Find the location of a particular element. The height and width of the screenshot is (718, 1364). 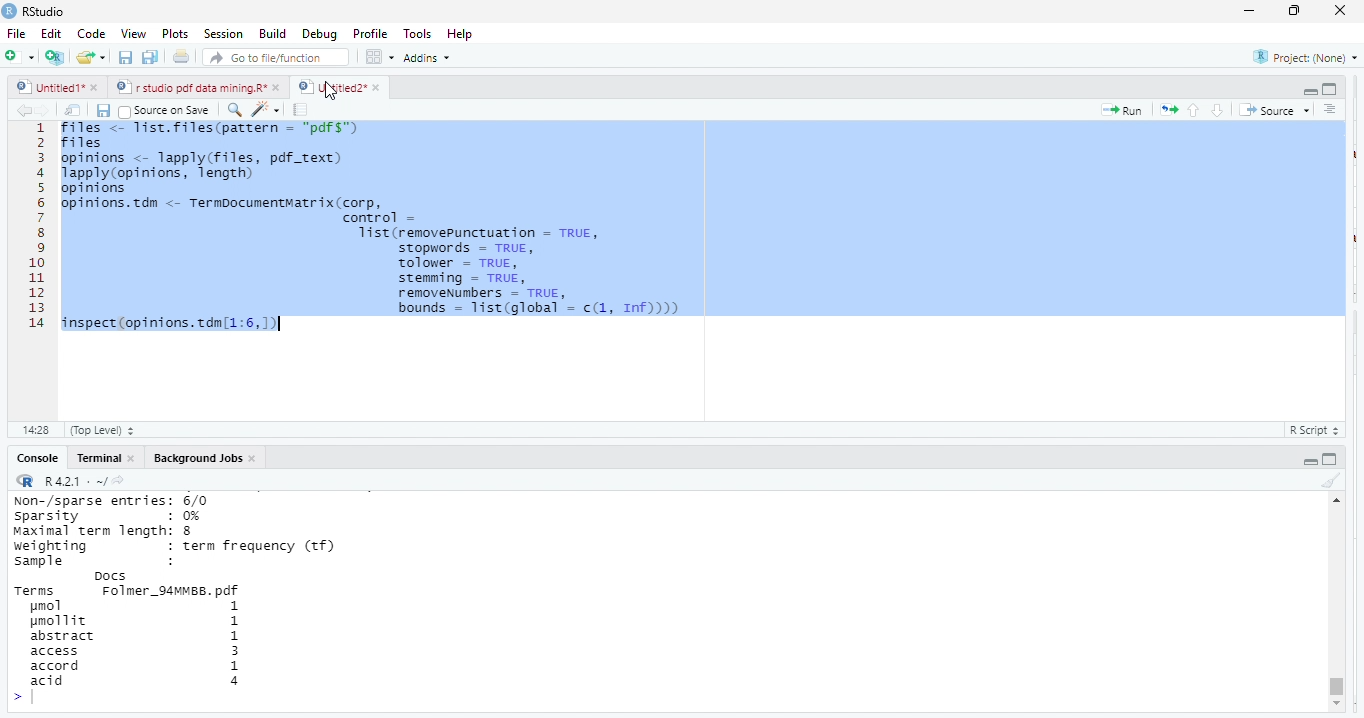

close is located at coordinates (278, 88).